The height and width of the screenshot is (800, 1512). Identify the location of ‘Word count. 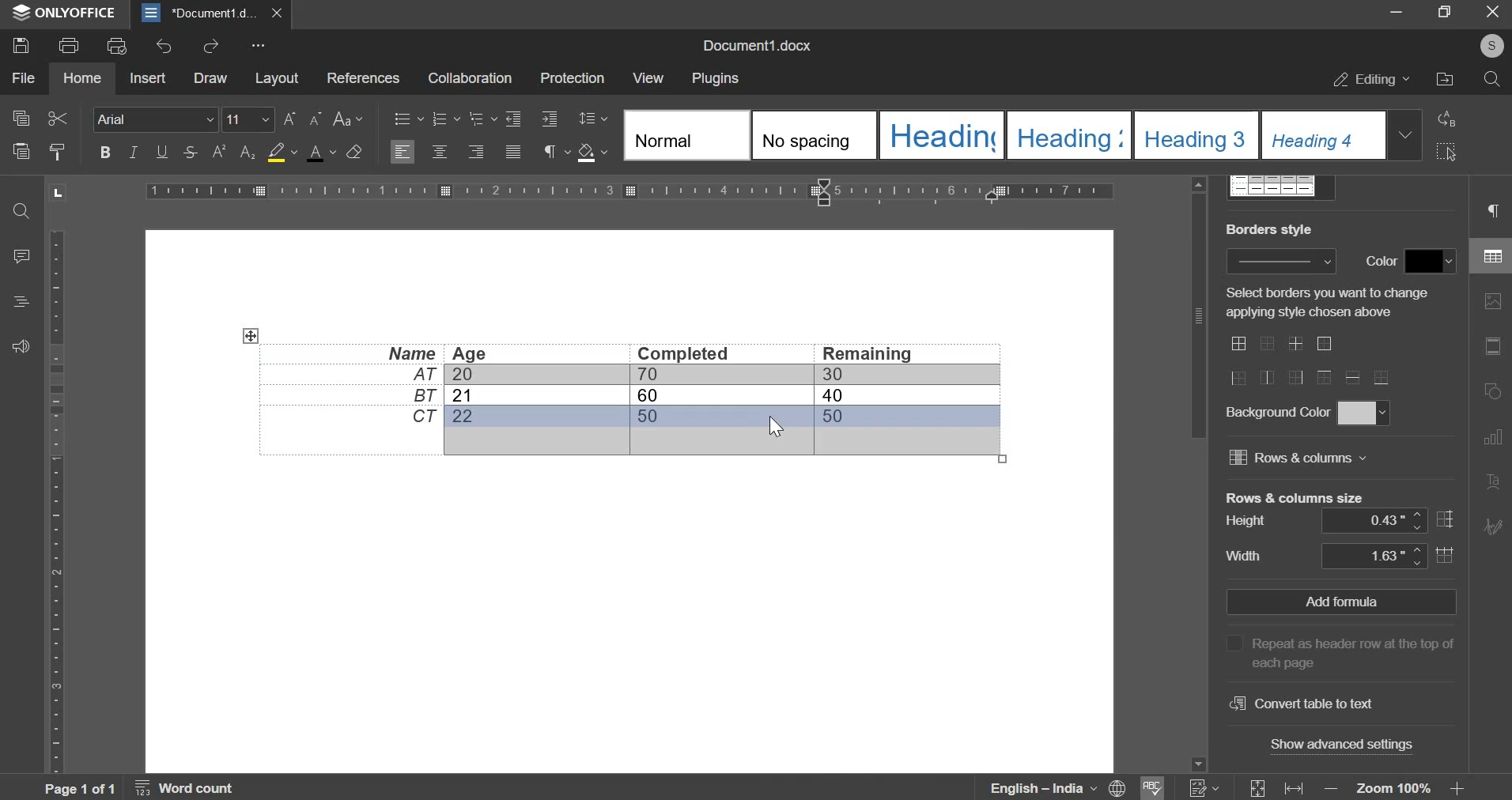
(196, 788).